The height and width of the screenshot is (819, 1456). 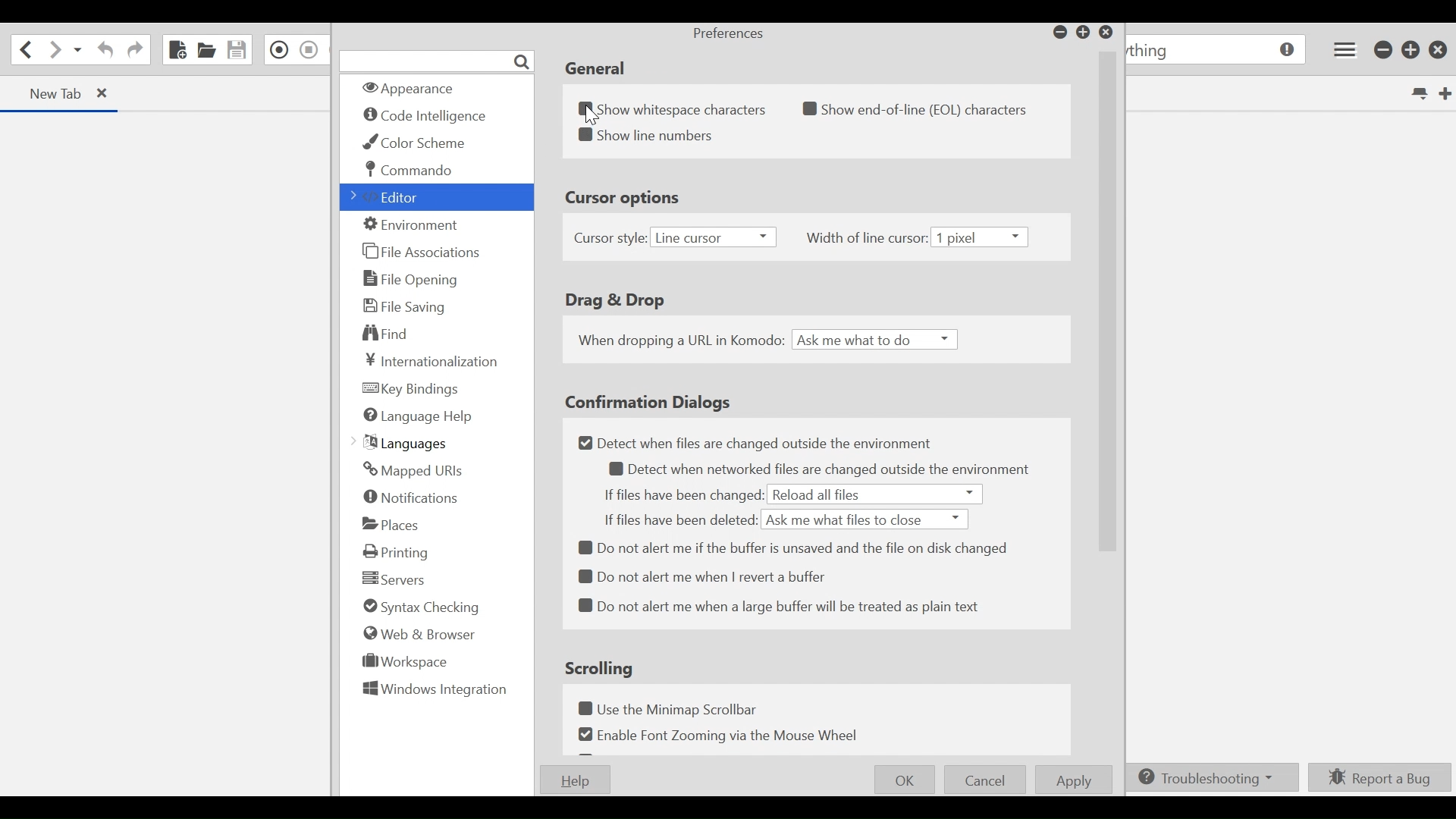 What do you see at coordinates (607, 239) in the screenshot?
I see `Cursor style:` at bounding box center [607, 239].